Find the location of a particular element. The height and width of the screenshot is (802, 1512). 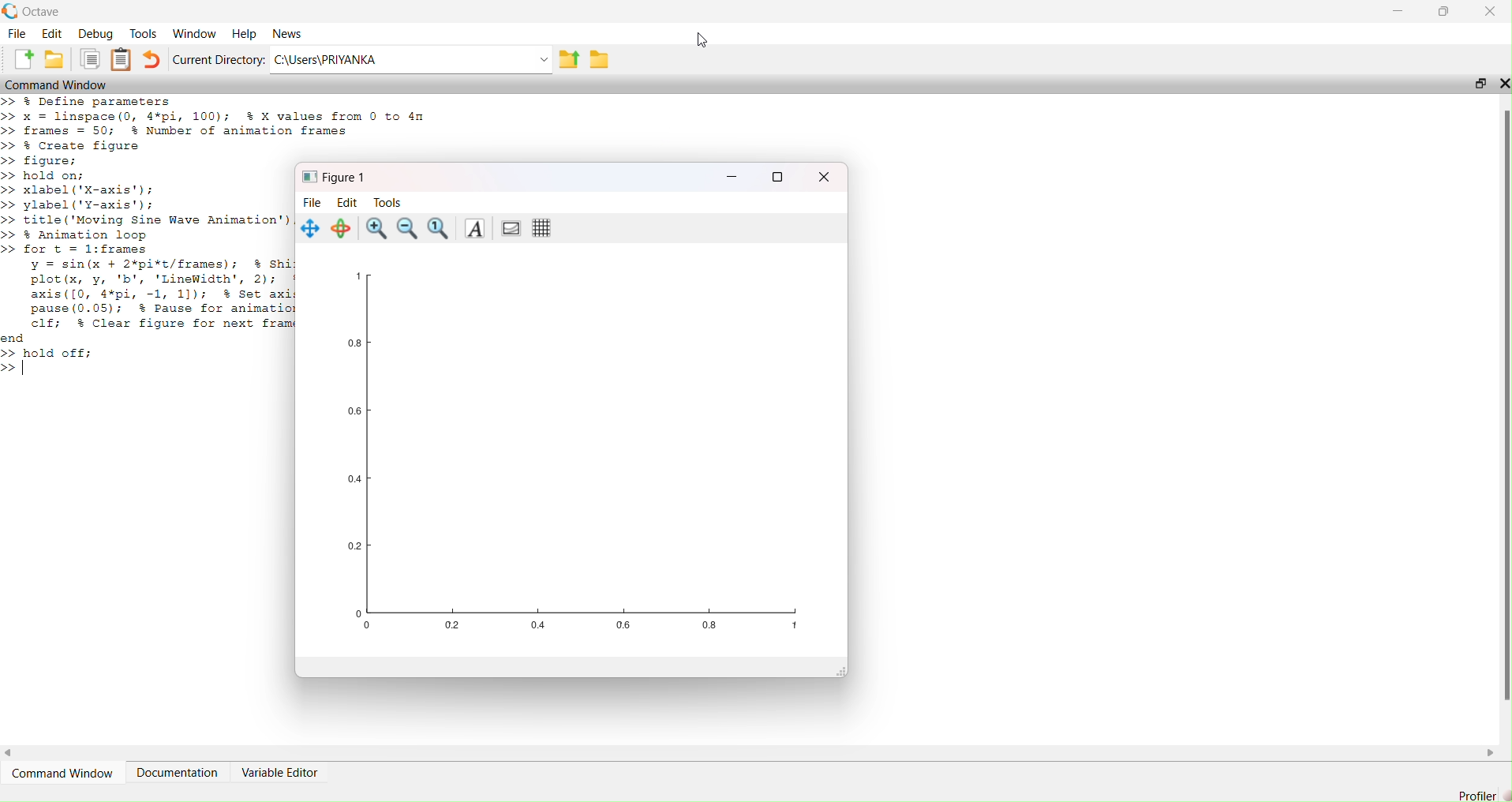

save is located at coordinates (601, 61).